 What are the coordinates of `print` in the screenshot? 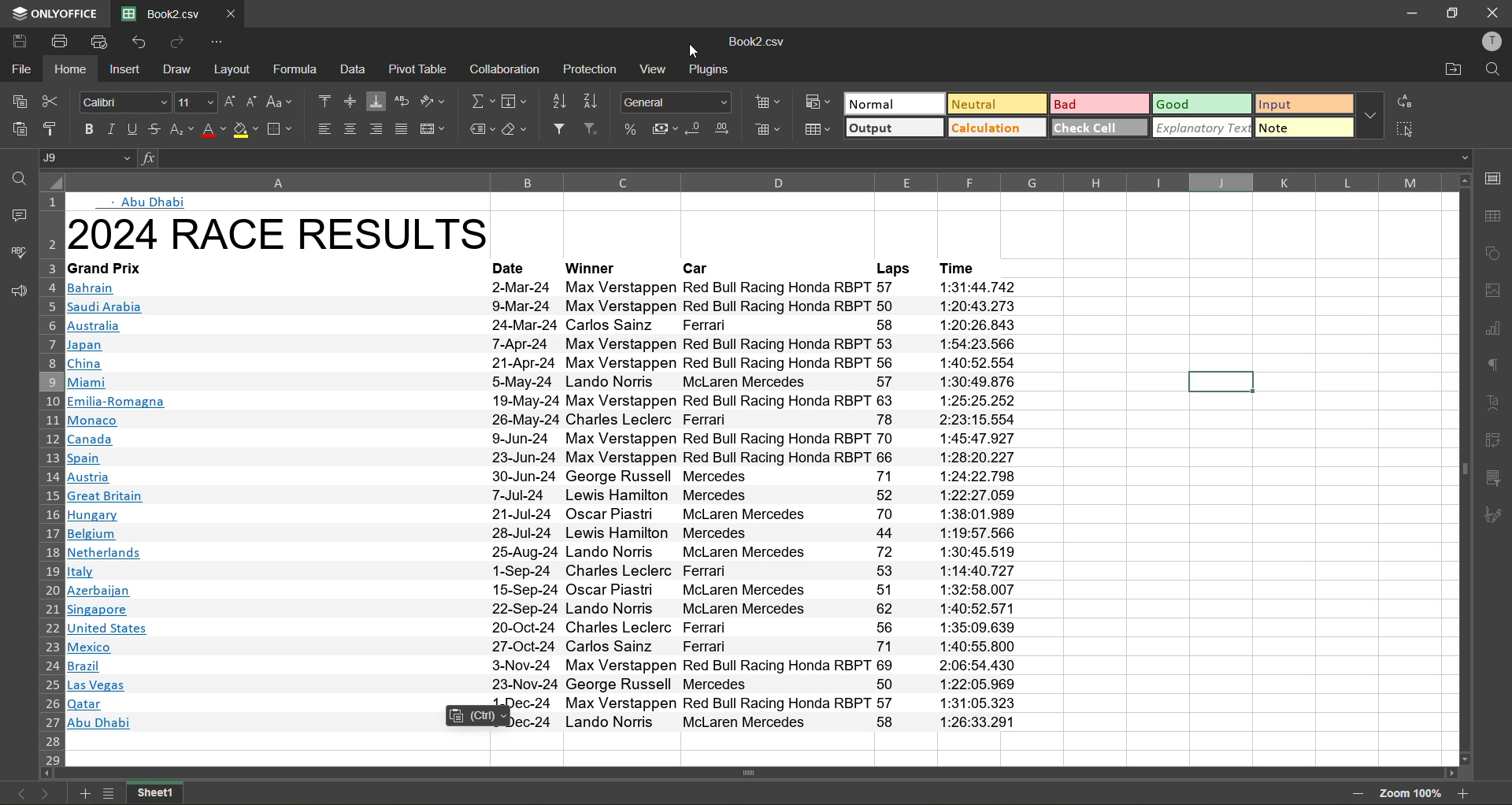 It's located at (61, 42).